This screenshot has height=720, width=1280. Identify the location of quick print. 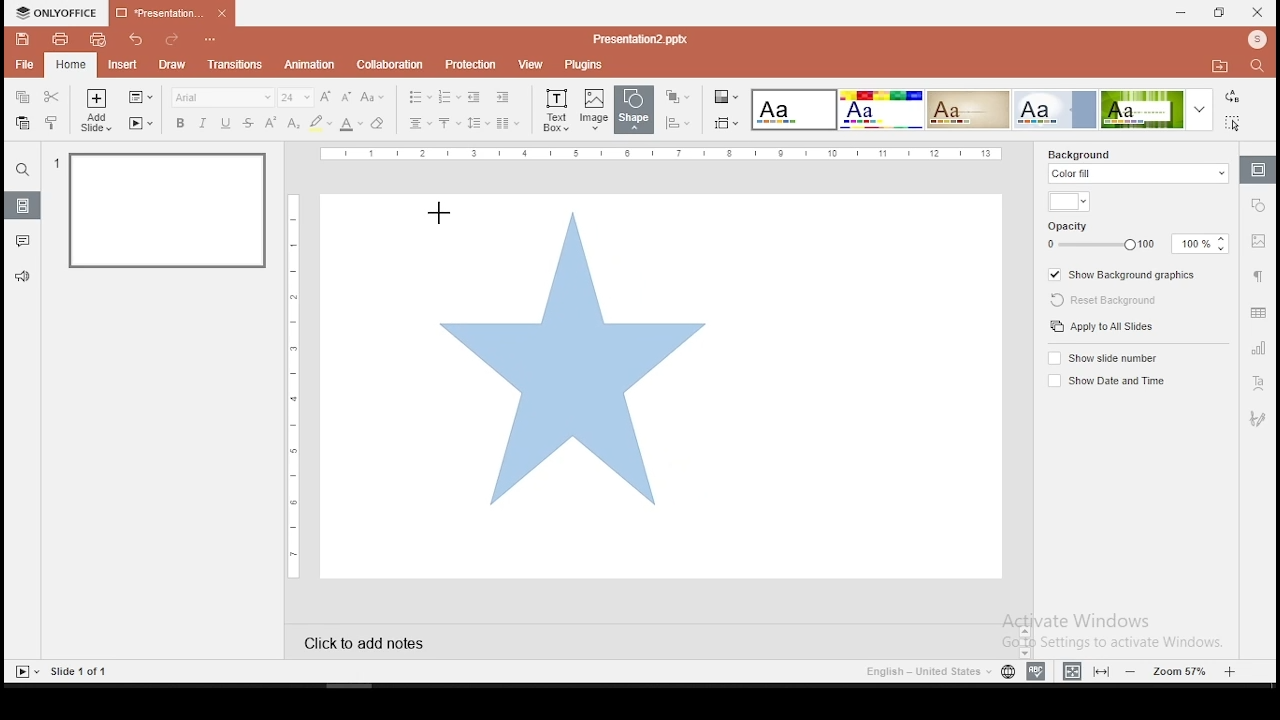
(97, 39).